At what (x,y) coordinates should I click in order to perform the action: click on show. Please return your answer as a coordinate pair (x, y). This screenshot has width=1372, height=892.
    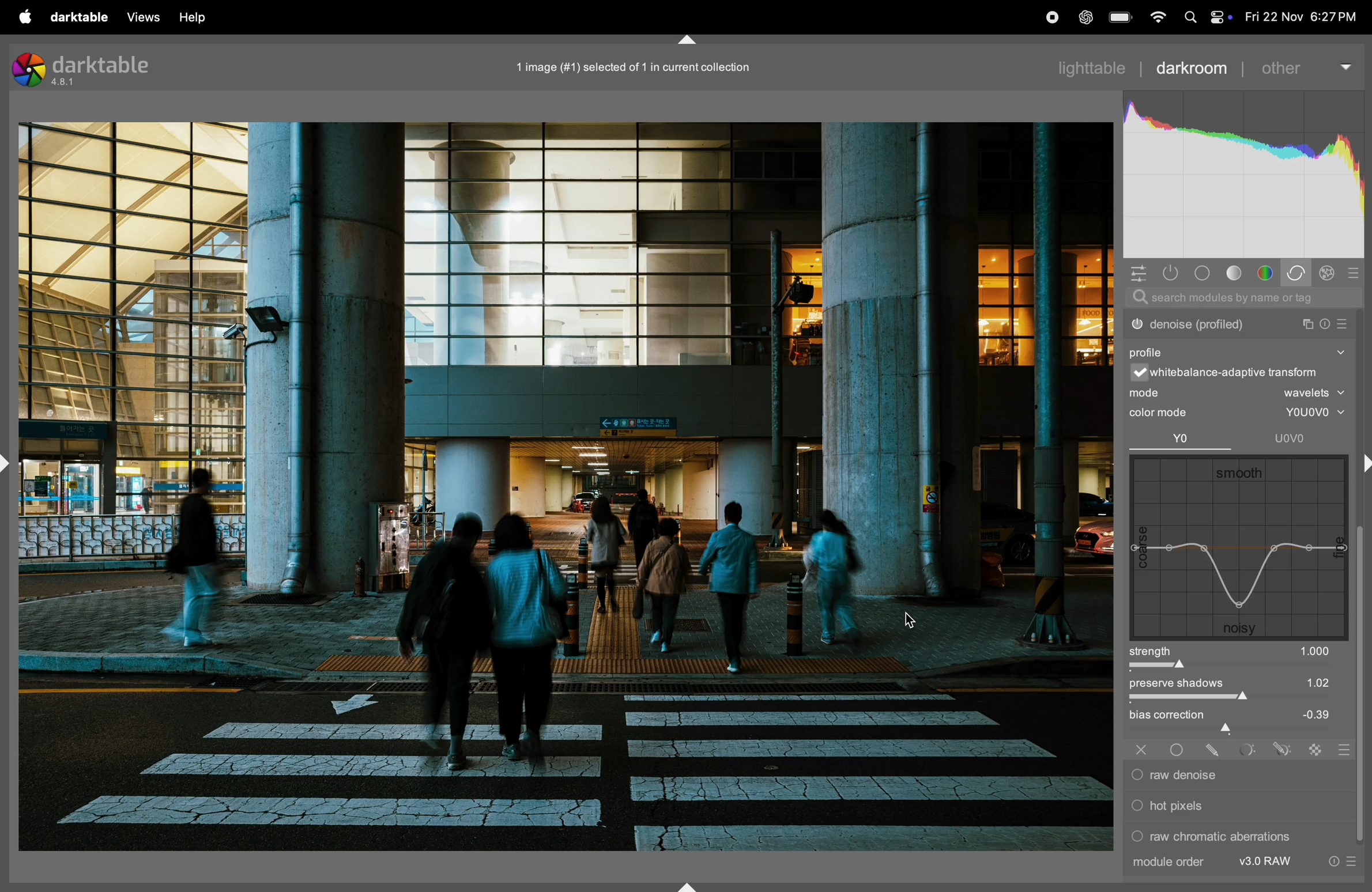
    Looking at the image, I should click on (1341, 354).